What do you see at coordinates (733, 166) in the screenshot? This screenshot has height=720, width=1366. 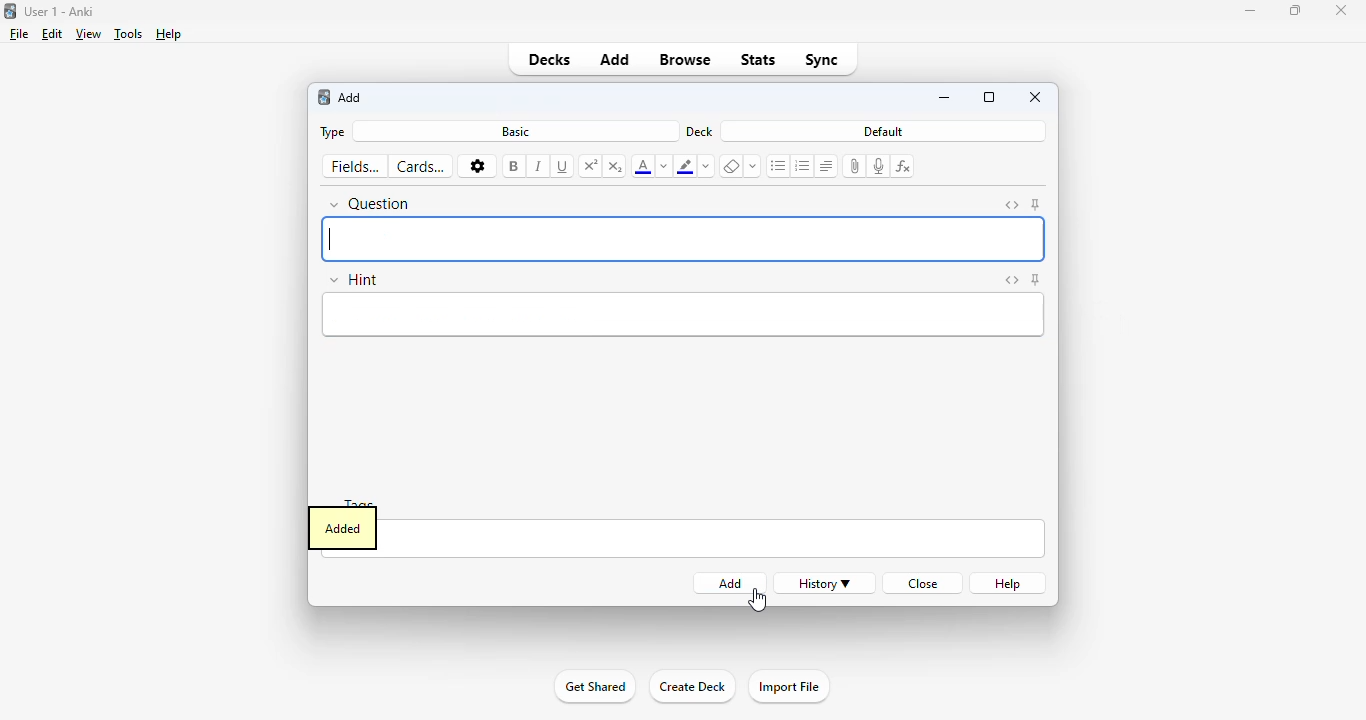 I see `remove formatting` at bounding box center [733, 166].